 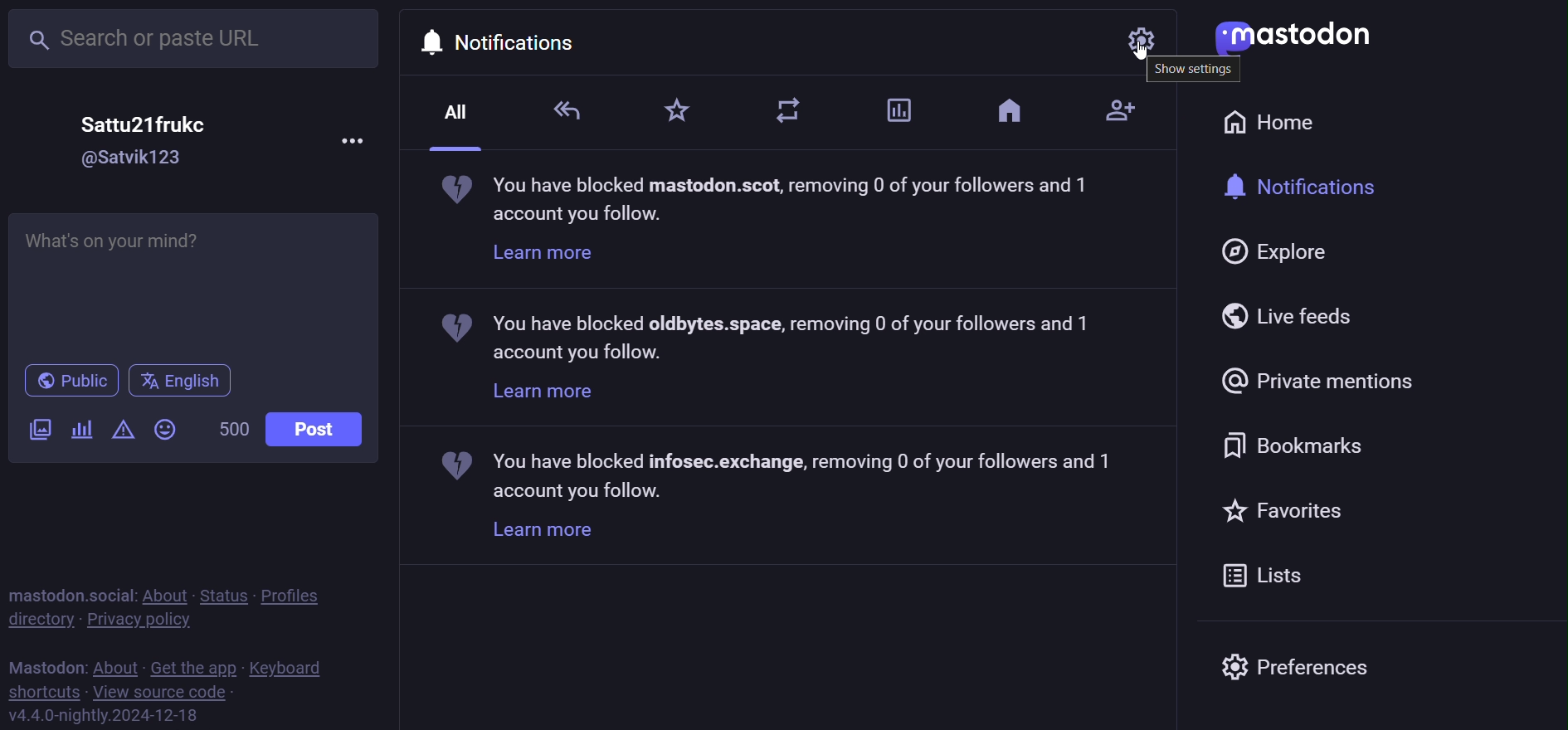 What do you see at coordinates (1294, 315) in the screenshot?
I see `live feed` at bounding box center [1294, 315].